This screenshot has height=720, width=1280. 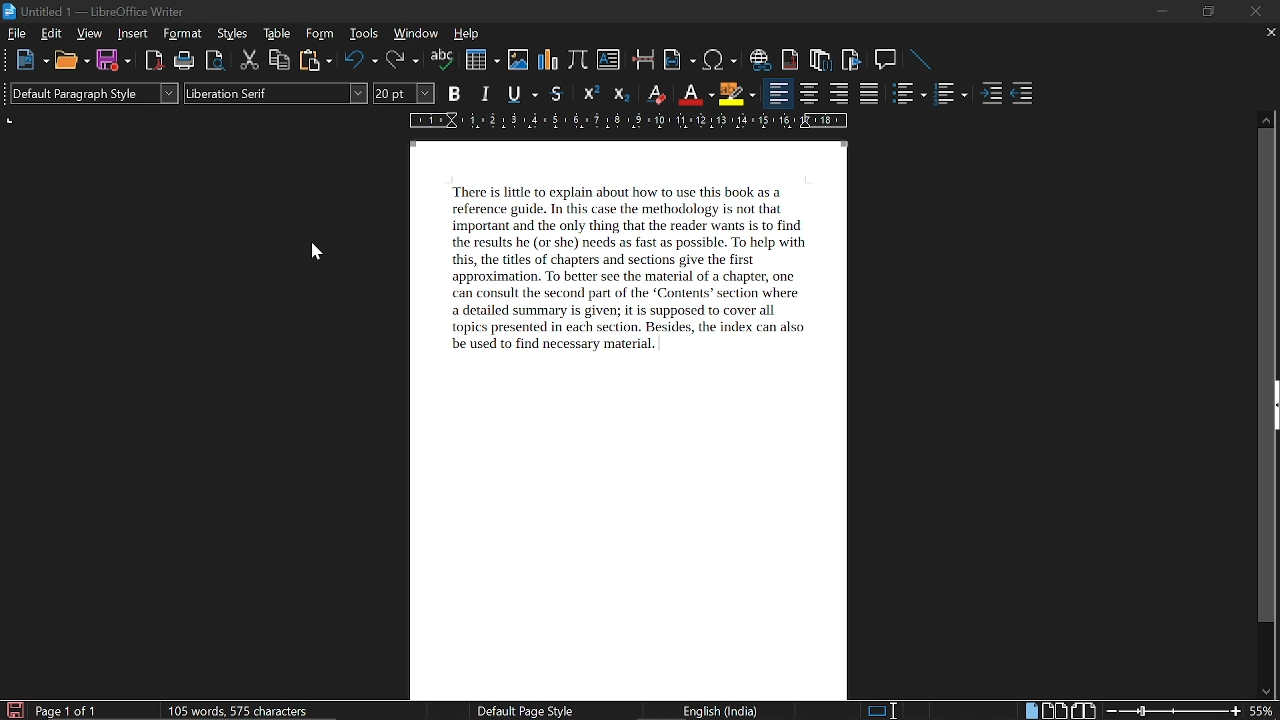 I want to click on export as pdf, so click(x=155, y=60).